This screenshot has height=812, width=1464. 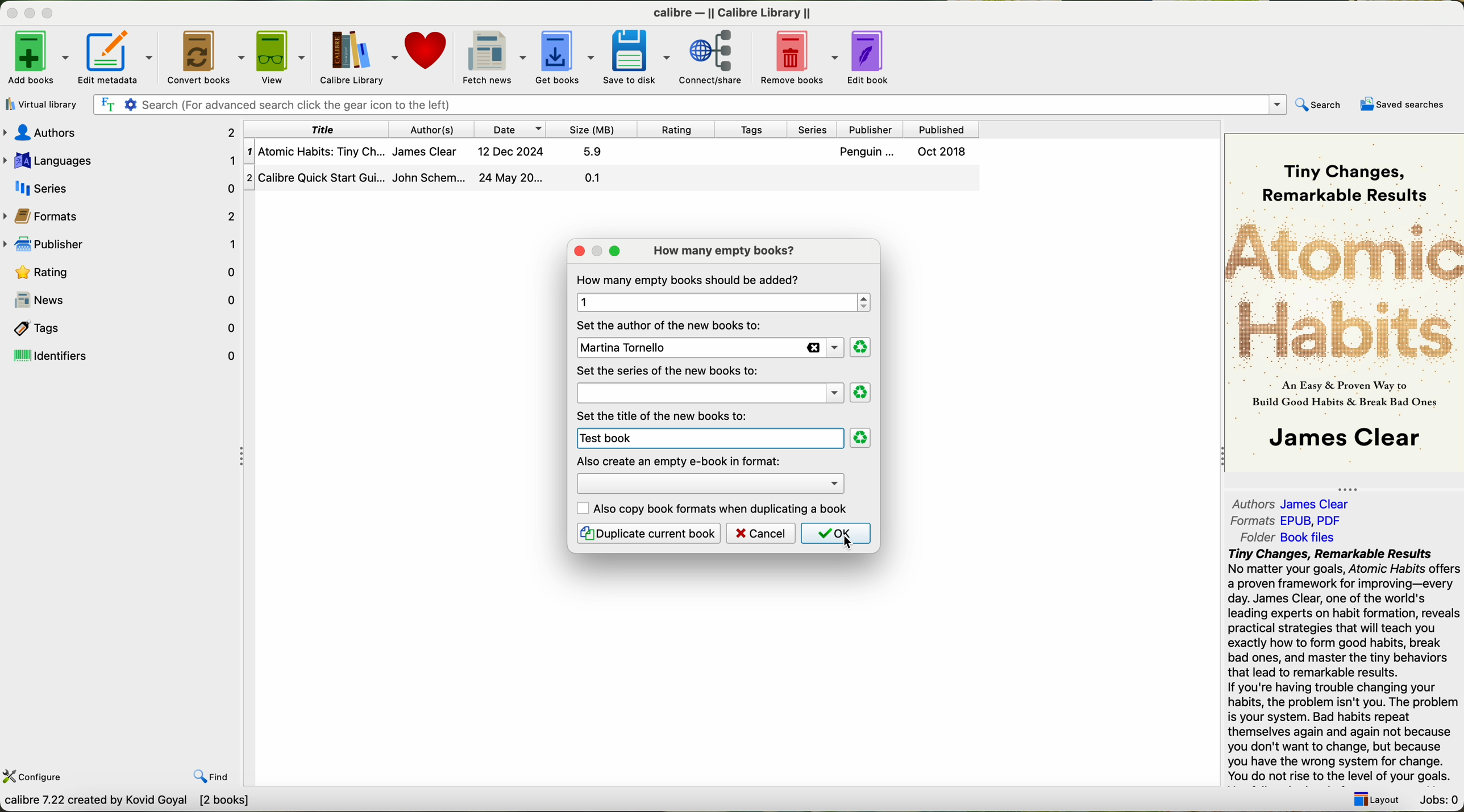 I want to click on cancel button, so click(x=761, y=533).